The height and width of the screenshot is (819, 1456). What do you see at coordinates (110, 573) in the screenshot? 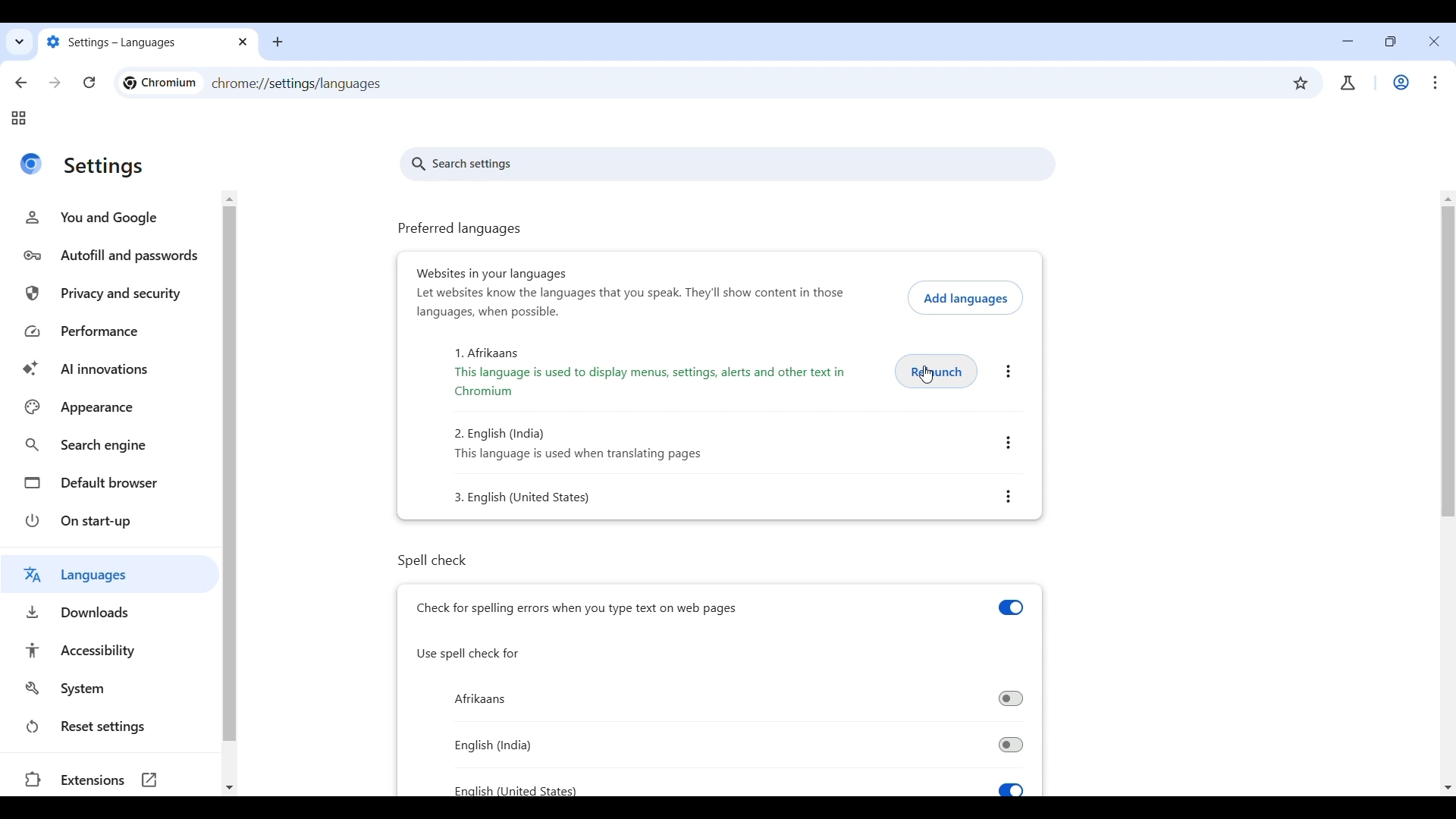
I see `Languages highlighted` at bounding box center [110, 573].